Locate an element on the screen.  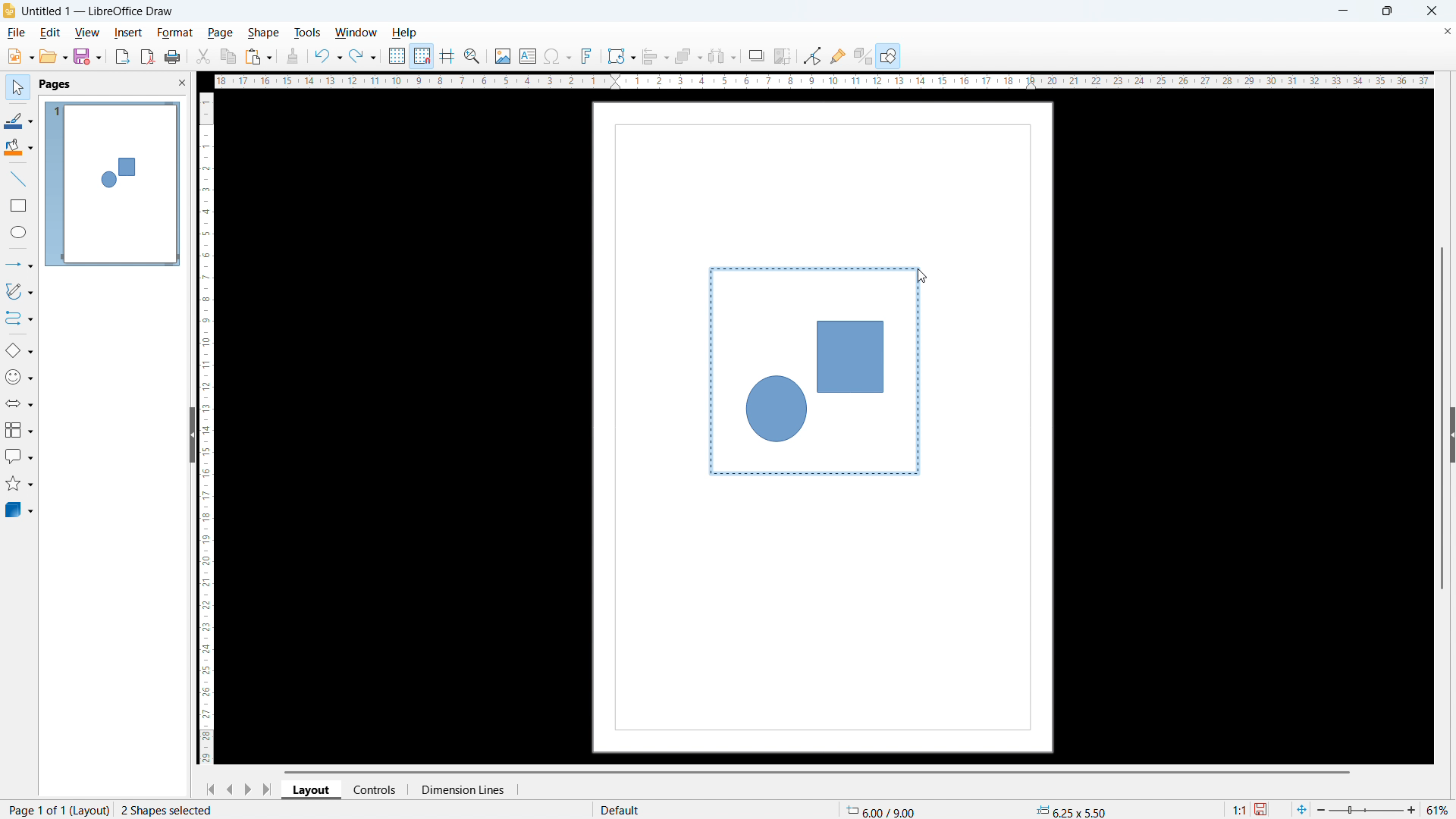
controls is located at coordinates (375, 790).